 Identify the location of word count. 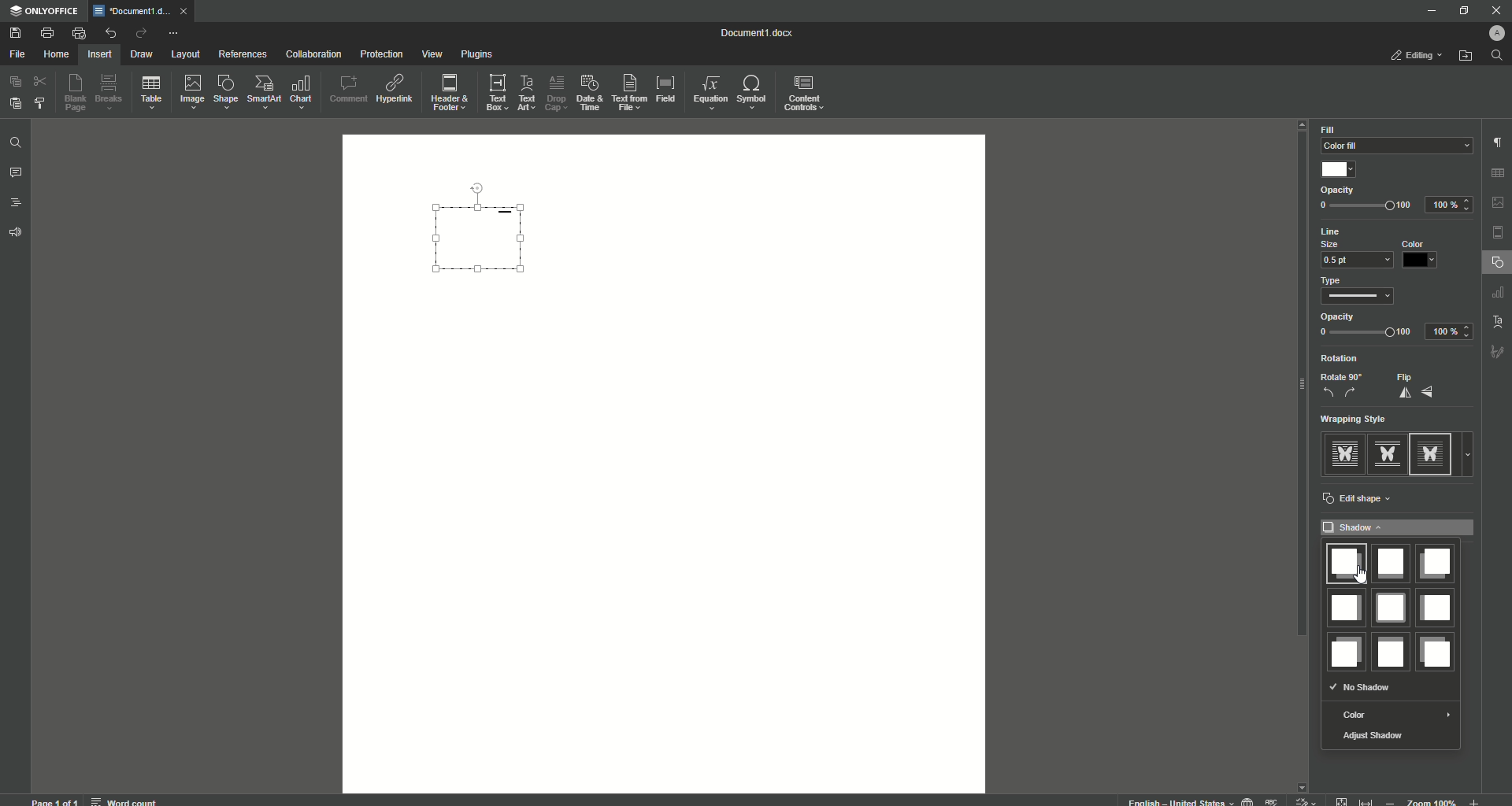
(123, 799).